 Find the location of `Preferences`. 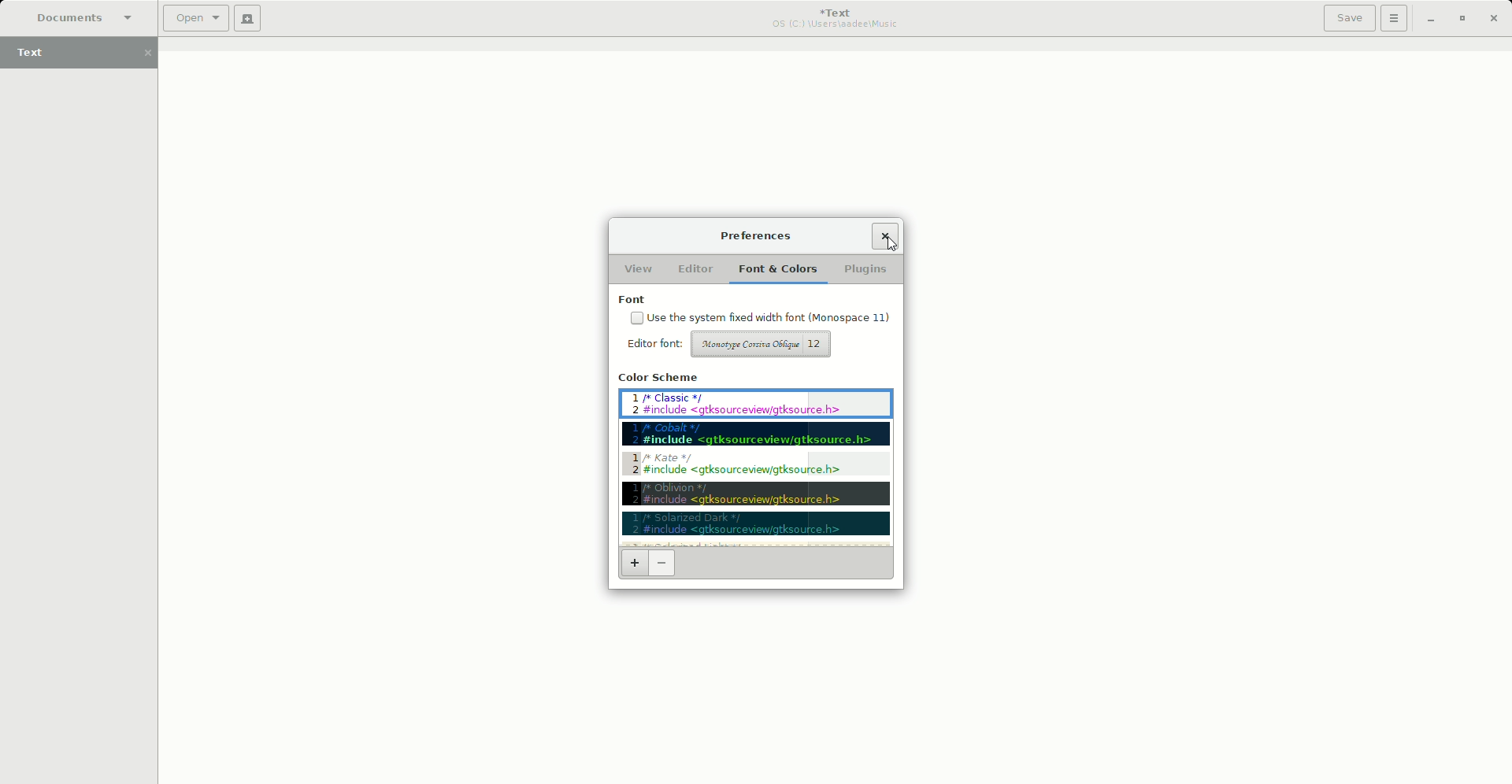

Preferences is located at coordinates (761, 236).